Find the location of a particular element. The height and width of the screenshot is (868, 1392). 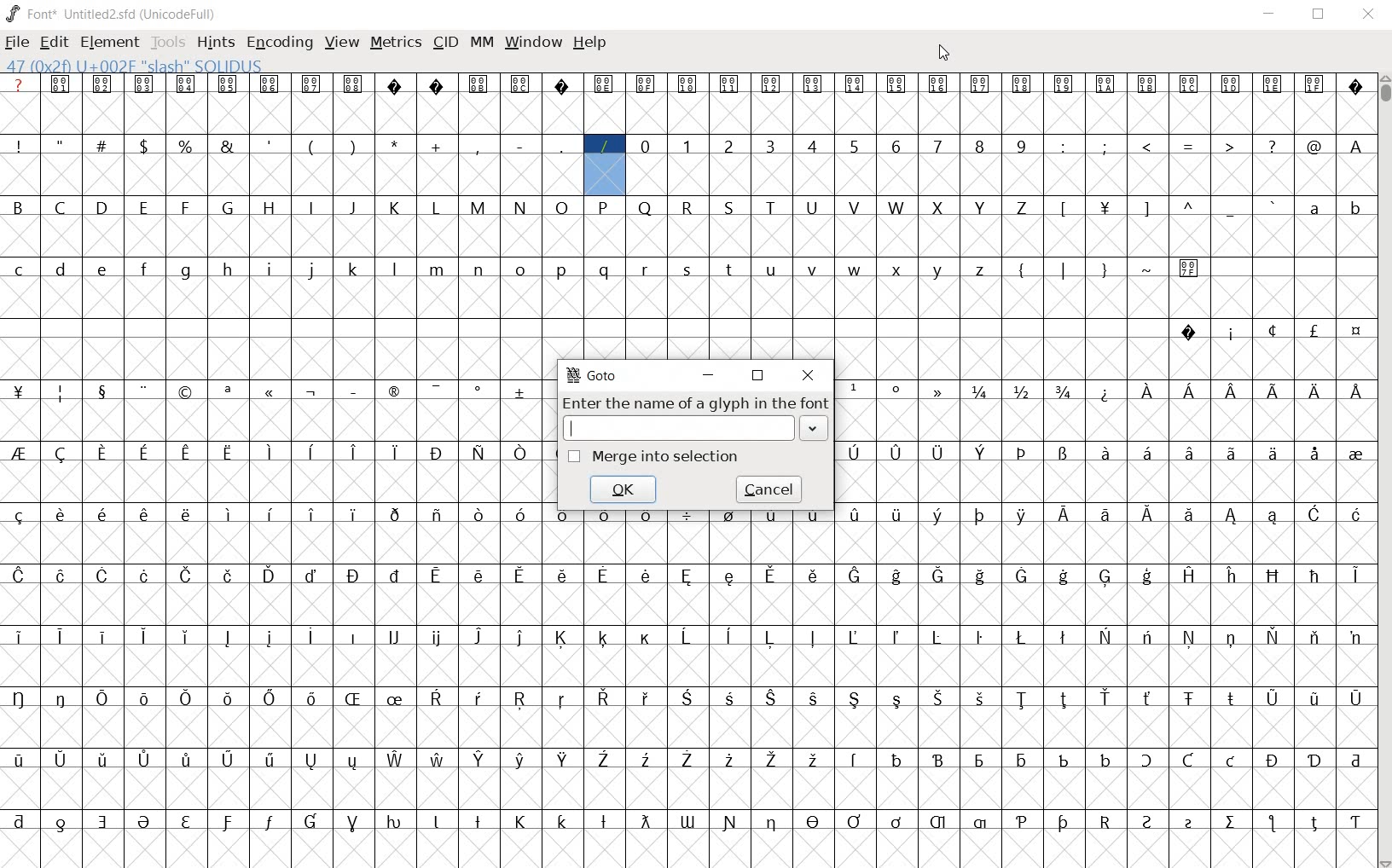

glyph is located at coordinates (1147, 391).